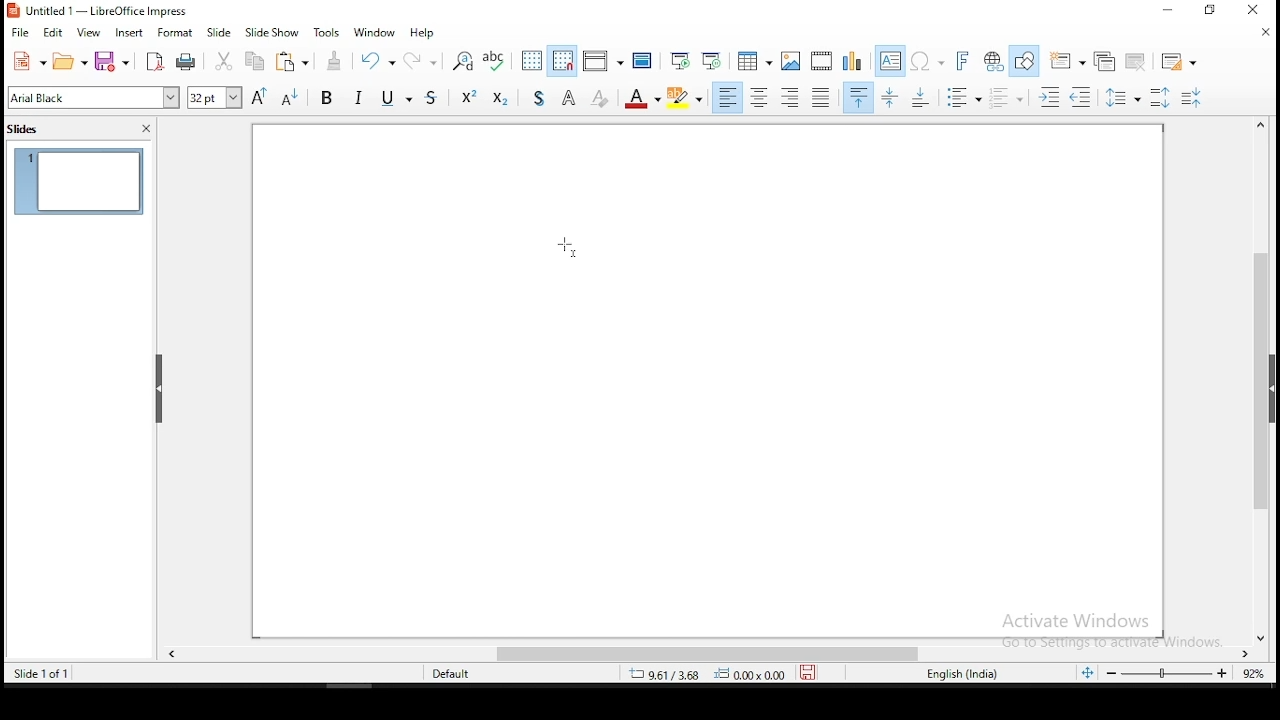  Describe the element at coordinates (176, 32) in the screenshot. I see `format` at that location.